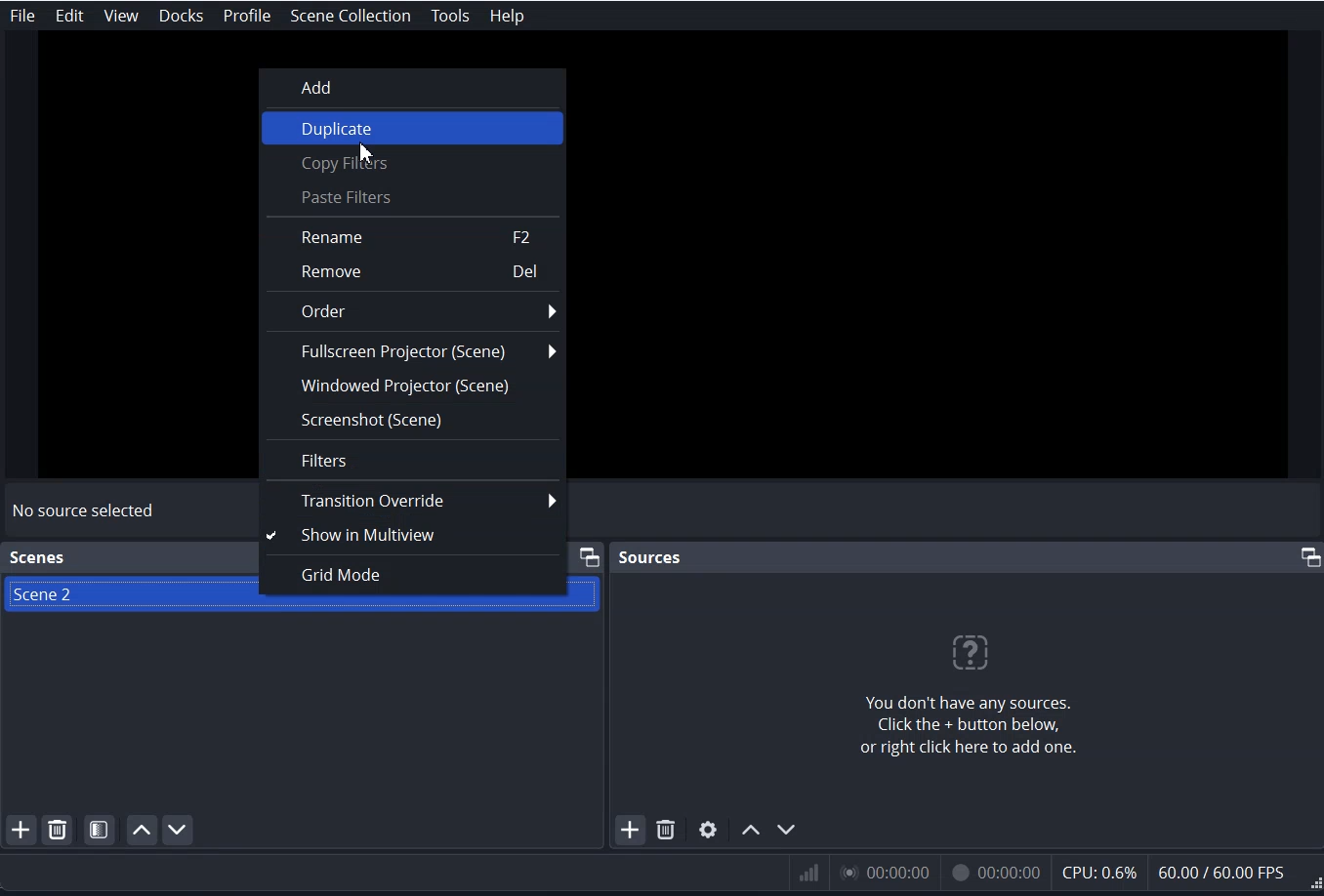  What do you see at coordinates (177, 829) in the screenshot?
I see `Move scene Down` at bounding box center [177, 829].